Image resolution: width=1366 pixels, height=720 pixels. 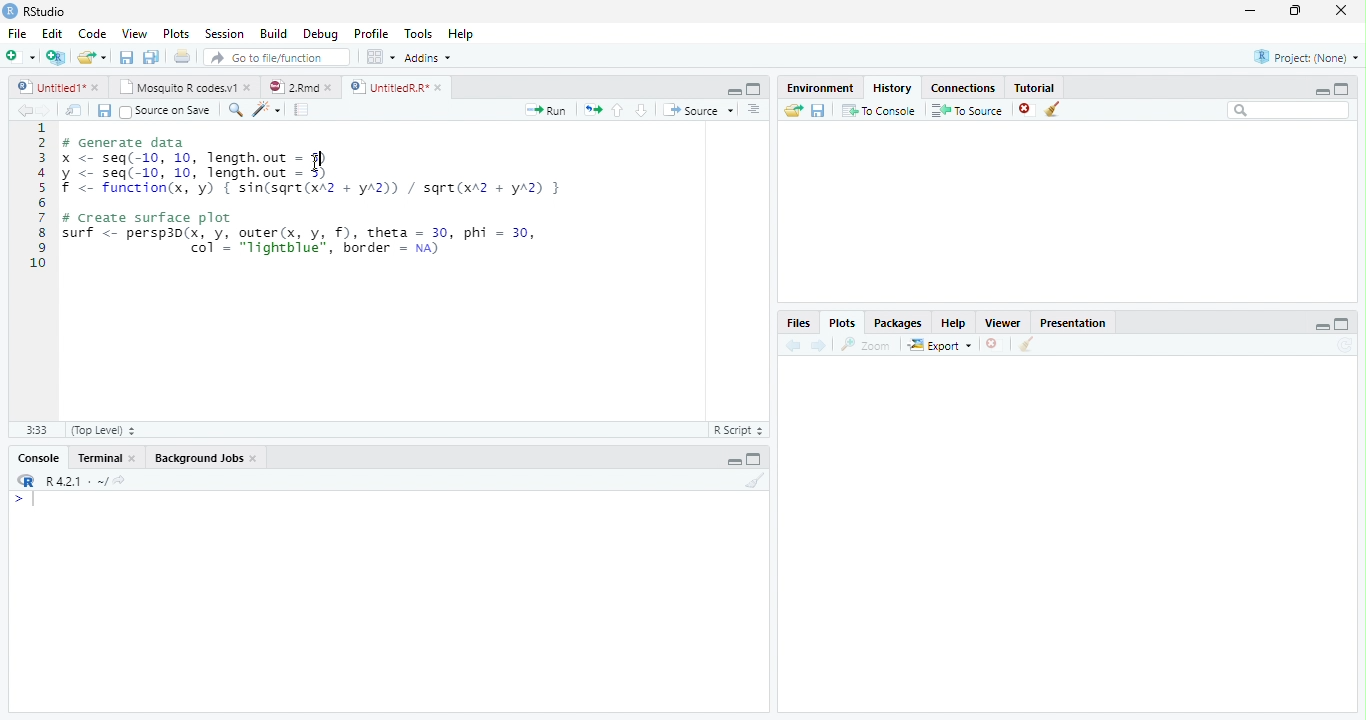 What do you see at coordinates (1341, 10) in the screenshot?
I see `close` at bounding box center [1341, 10].